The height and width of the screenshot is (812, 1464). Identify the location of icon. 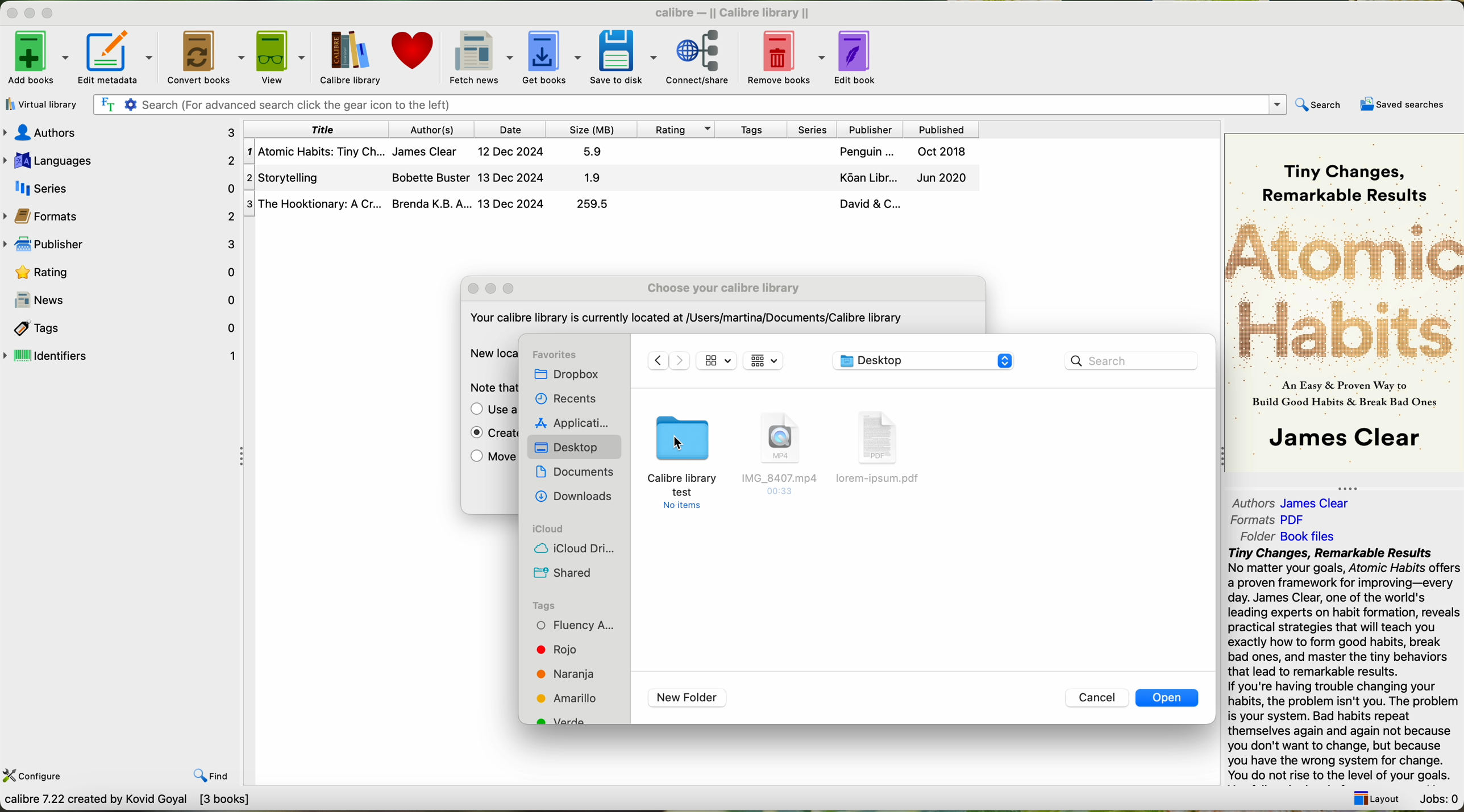
(763, 360).